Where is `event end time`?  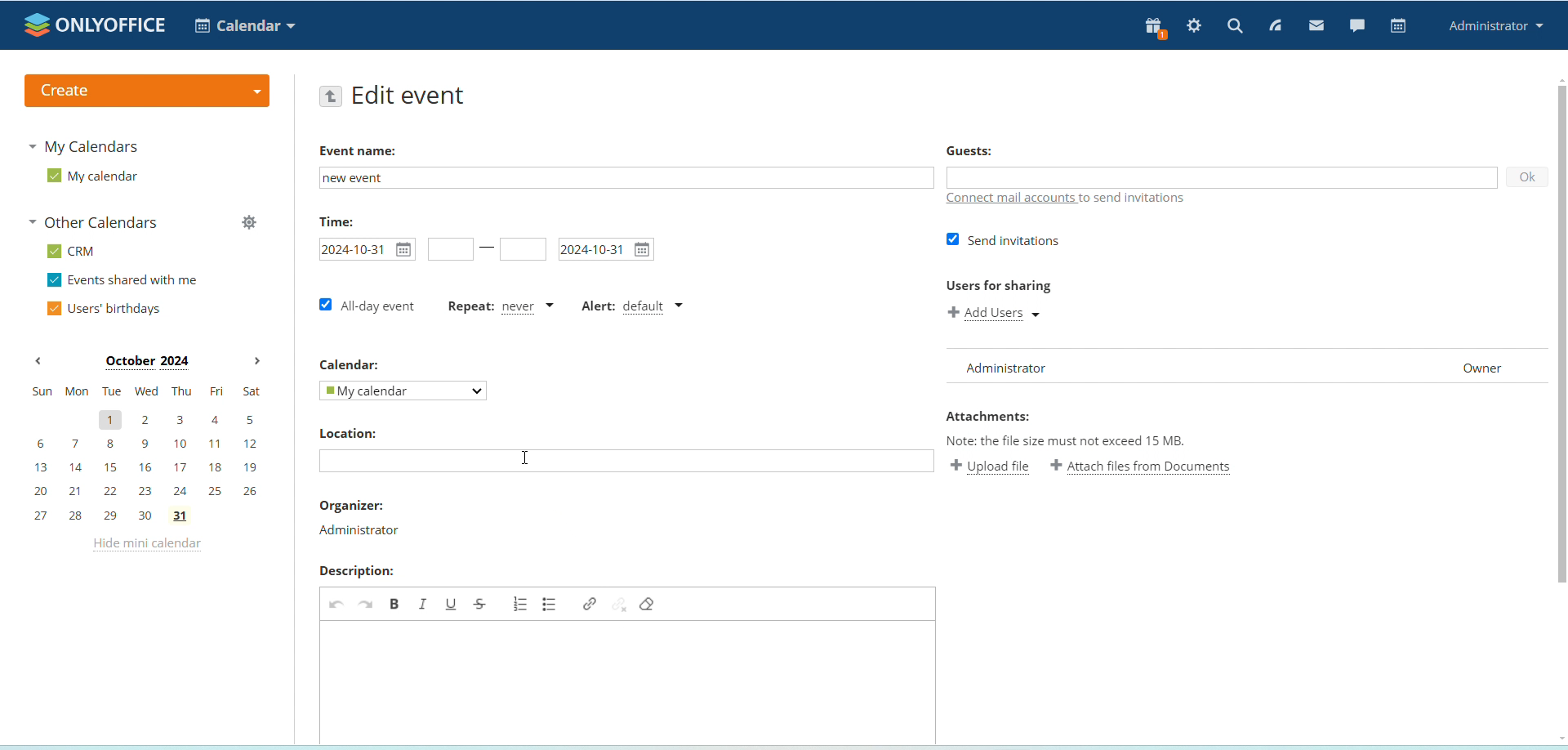
event end time is located at coordinates (523, 249).